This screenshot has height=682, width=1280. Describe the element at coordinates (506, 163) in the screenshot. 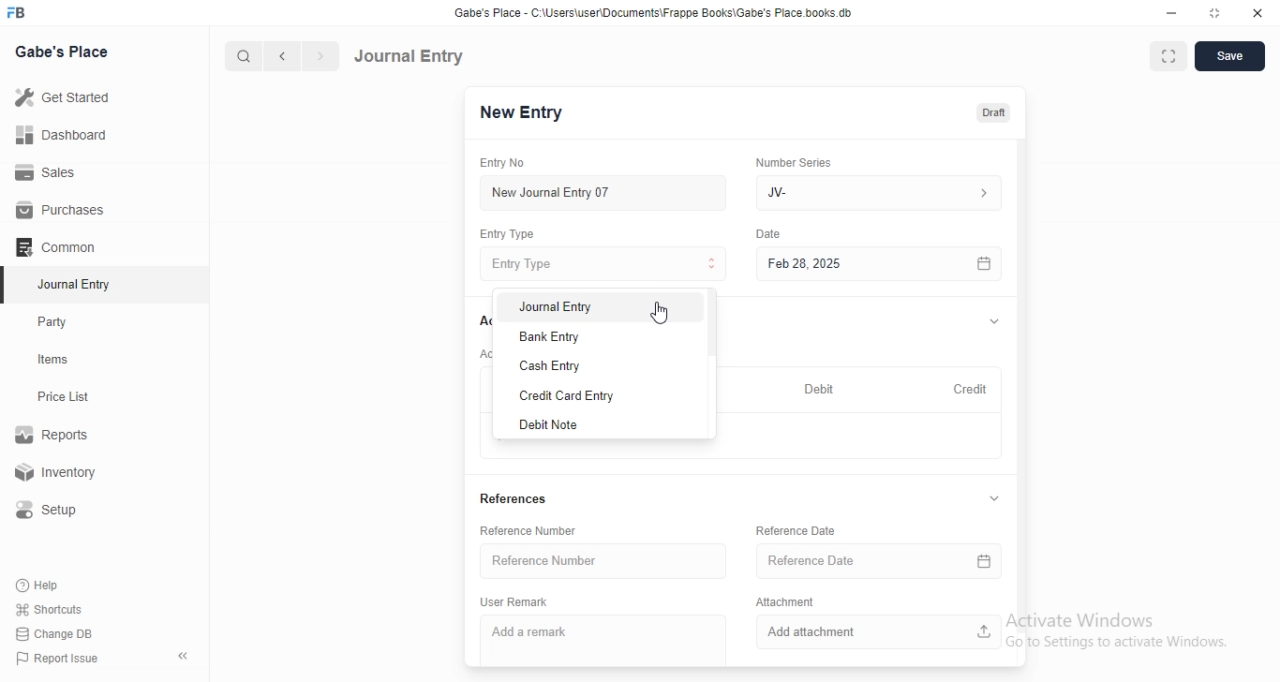

I see `Entry No` at that location.